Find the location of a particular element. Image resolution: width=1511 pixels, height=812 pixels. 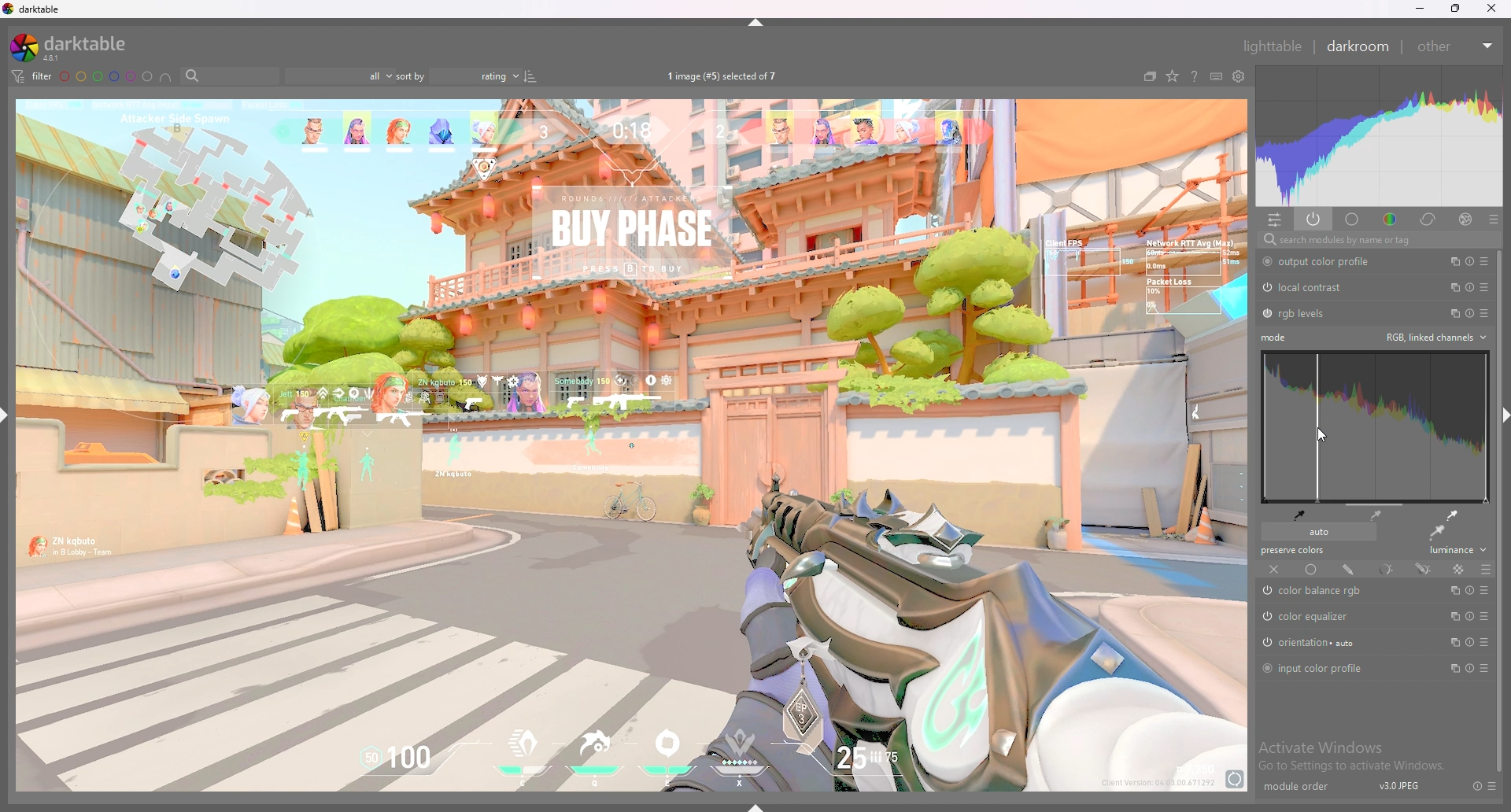

color labels is located at coordinates (105, 76).